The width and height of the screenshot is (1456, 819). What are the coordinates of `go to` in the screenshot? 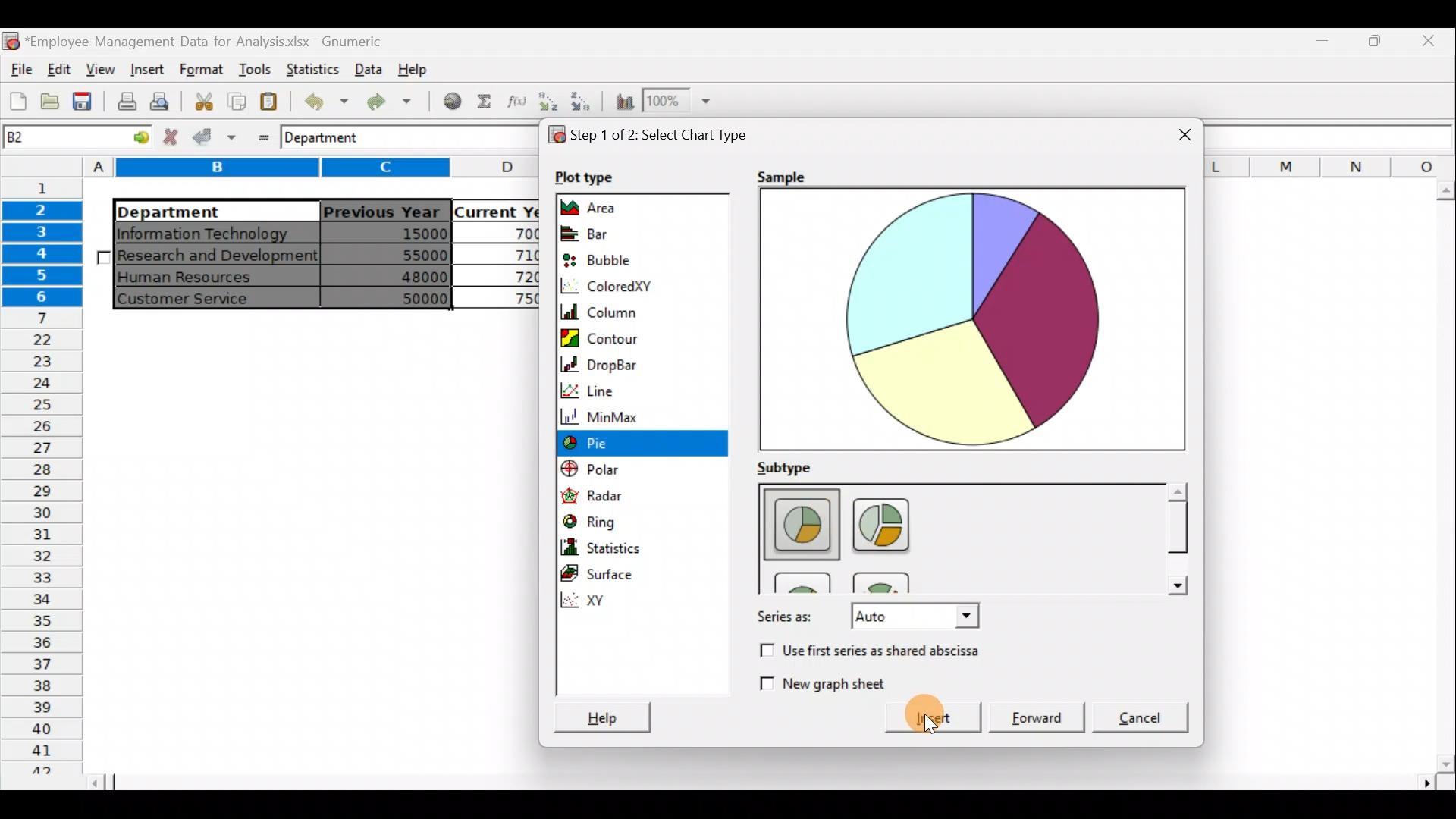 It's located at (132, 139).